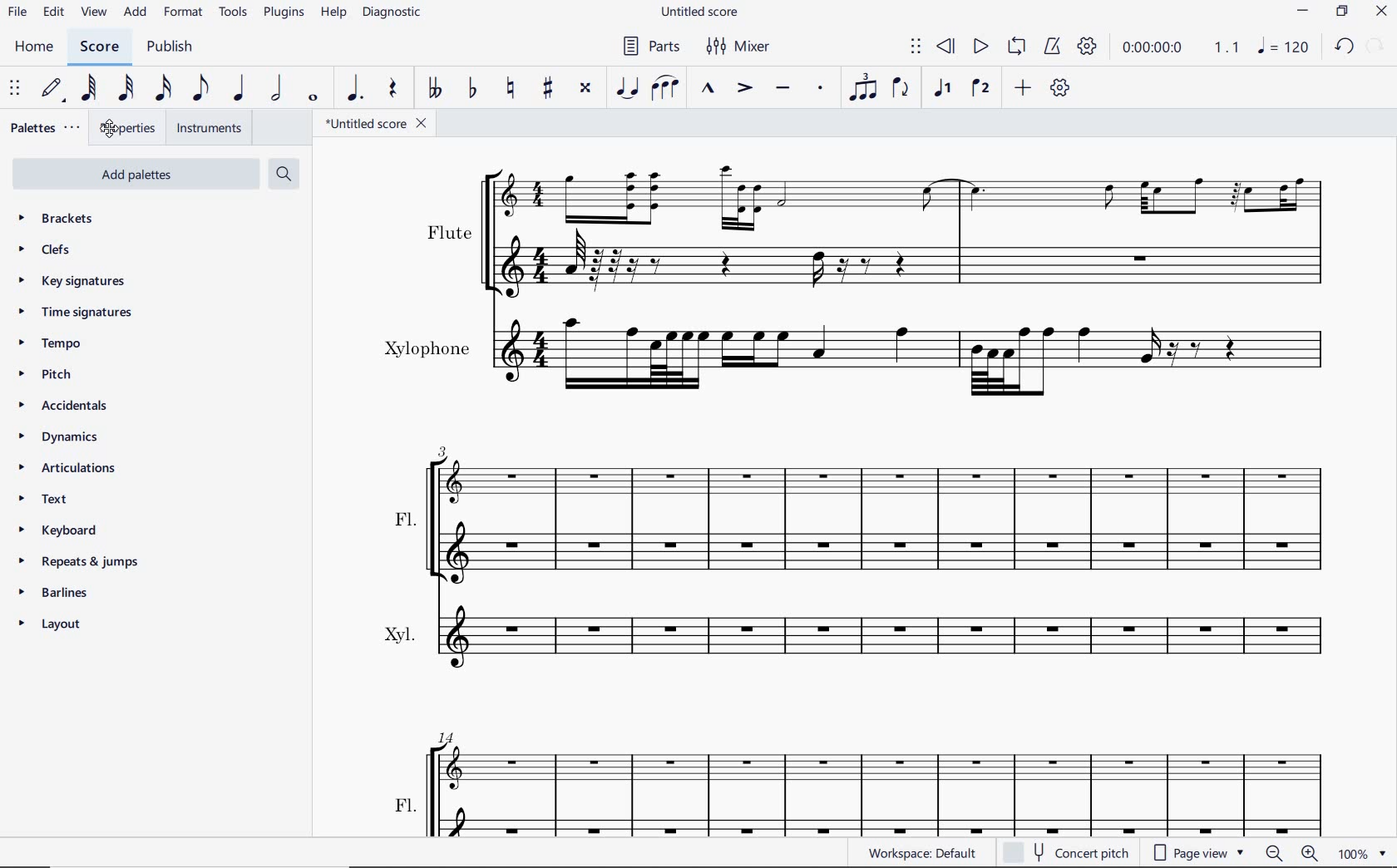 The image size is (1397, 868). Describe the element at coordinates (285, 175) in the screenshot. I see `search palettes` at that location.